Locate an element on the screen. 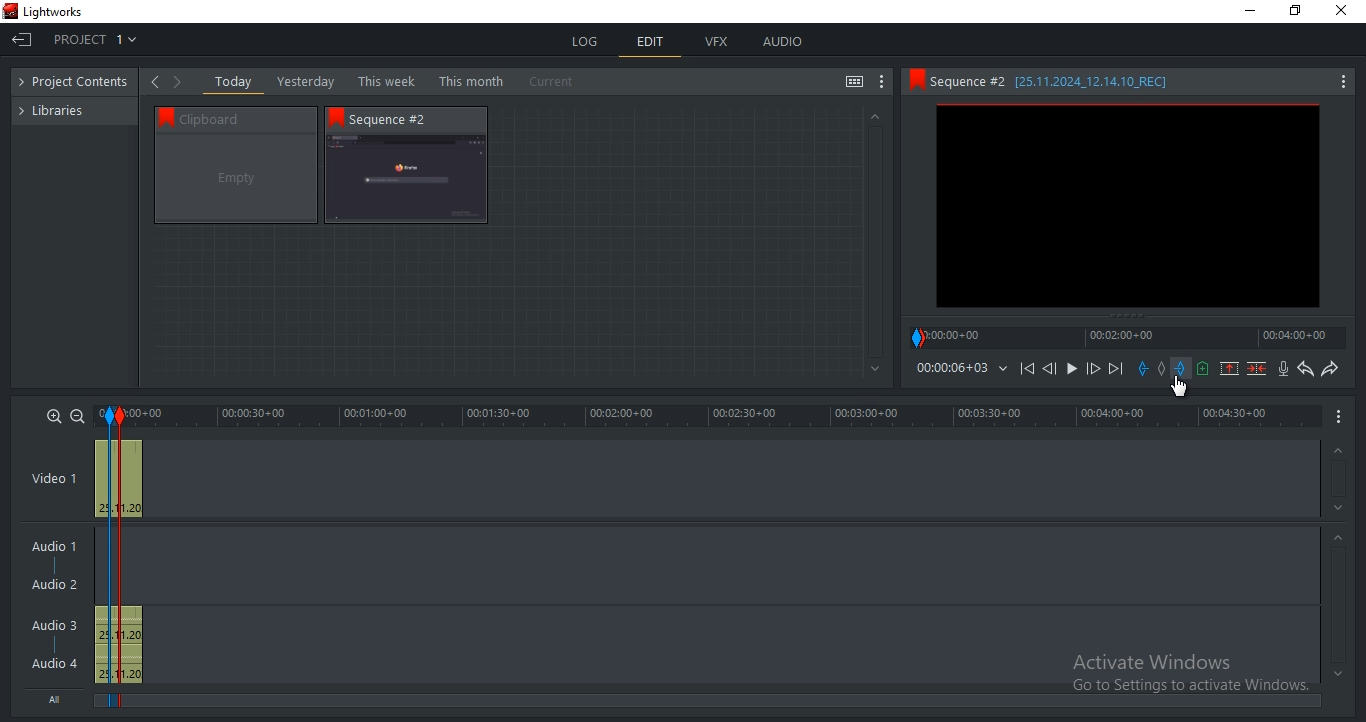 The height and width of the screenshot is (722, 1366). audio is located at coordinates (118, 645).